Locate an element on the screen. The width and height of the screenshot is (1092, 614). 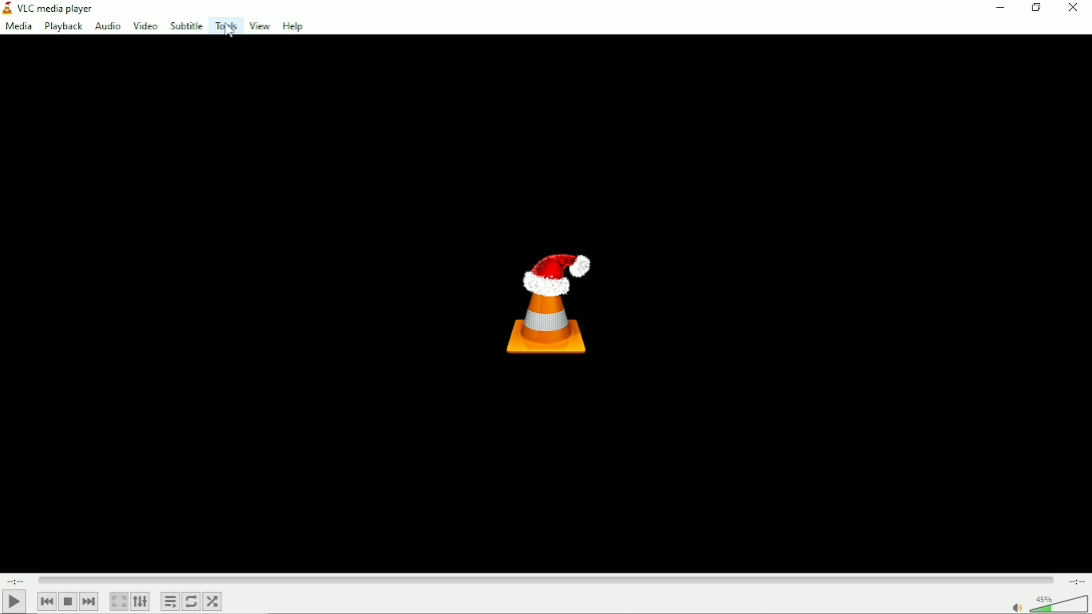
Stop playlist is located at coordinates (68, 601).